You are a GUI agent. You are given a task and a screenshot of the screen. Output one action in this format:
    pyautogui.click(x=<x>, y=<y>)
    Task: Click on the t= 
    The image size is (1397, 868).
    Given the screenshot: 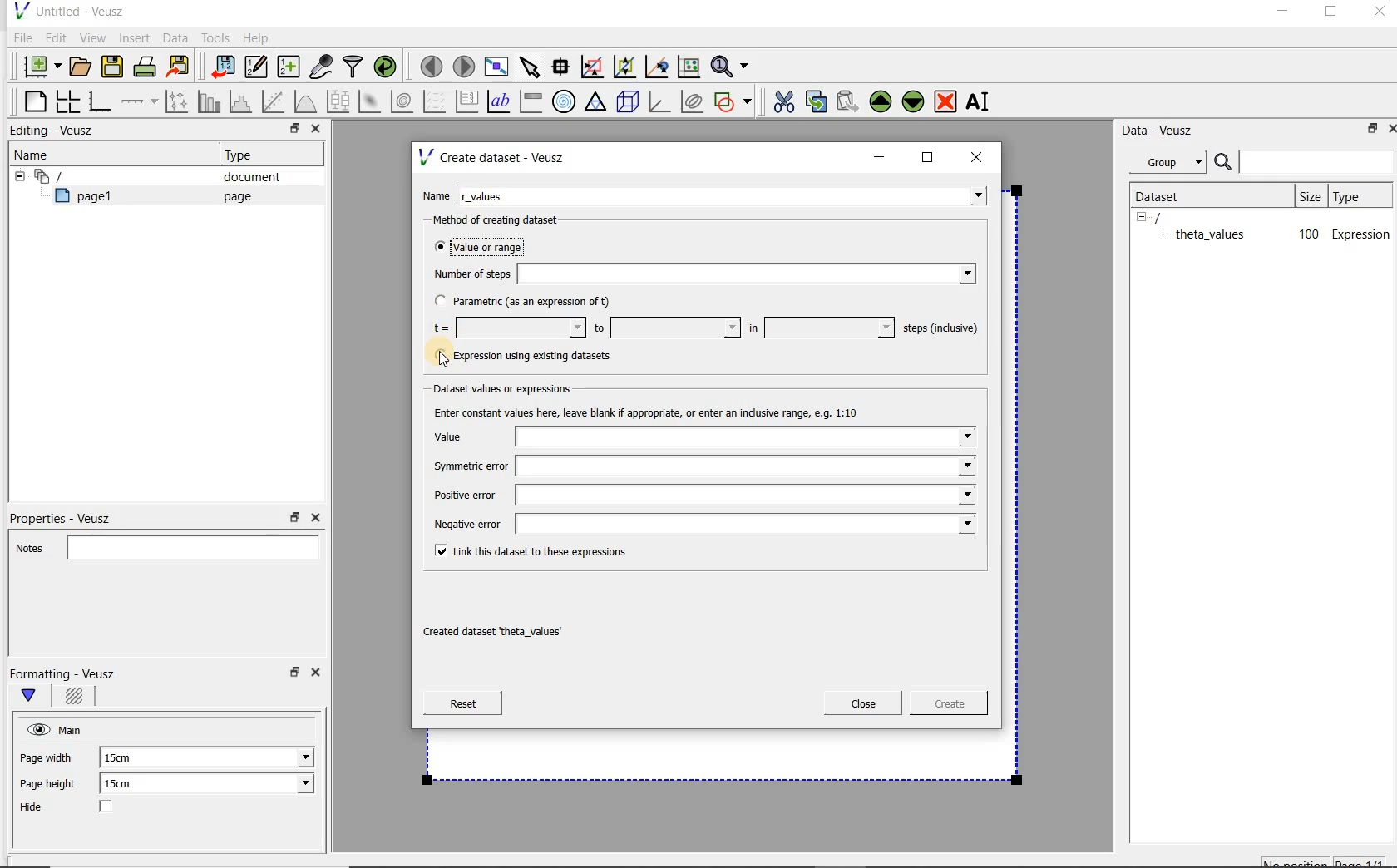 What is the action you would take?
    pyautogui.click(x=506, y=328)
    